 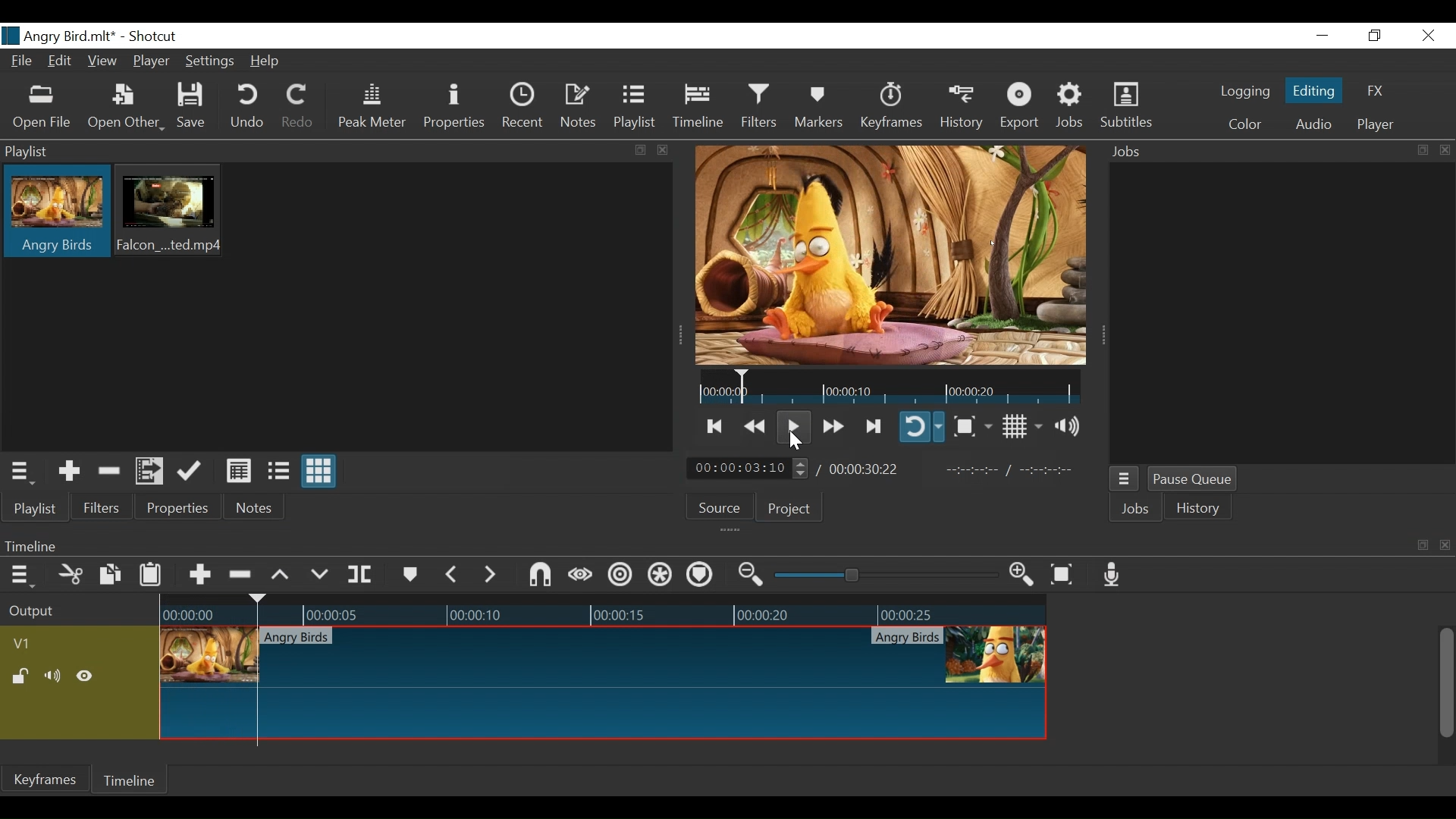 I want to click on In point, so click(x=1017, y=469).